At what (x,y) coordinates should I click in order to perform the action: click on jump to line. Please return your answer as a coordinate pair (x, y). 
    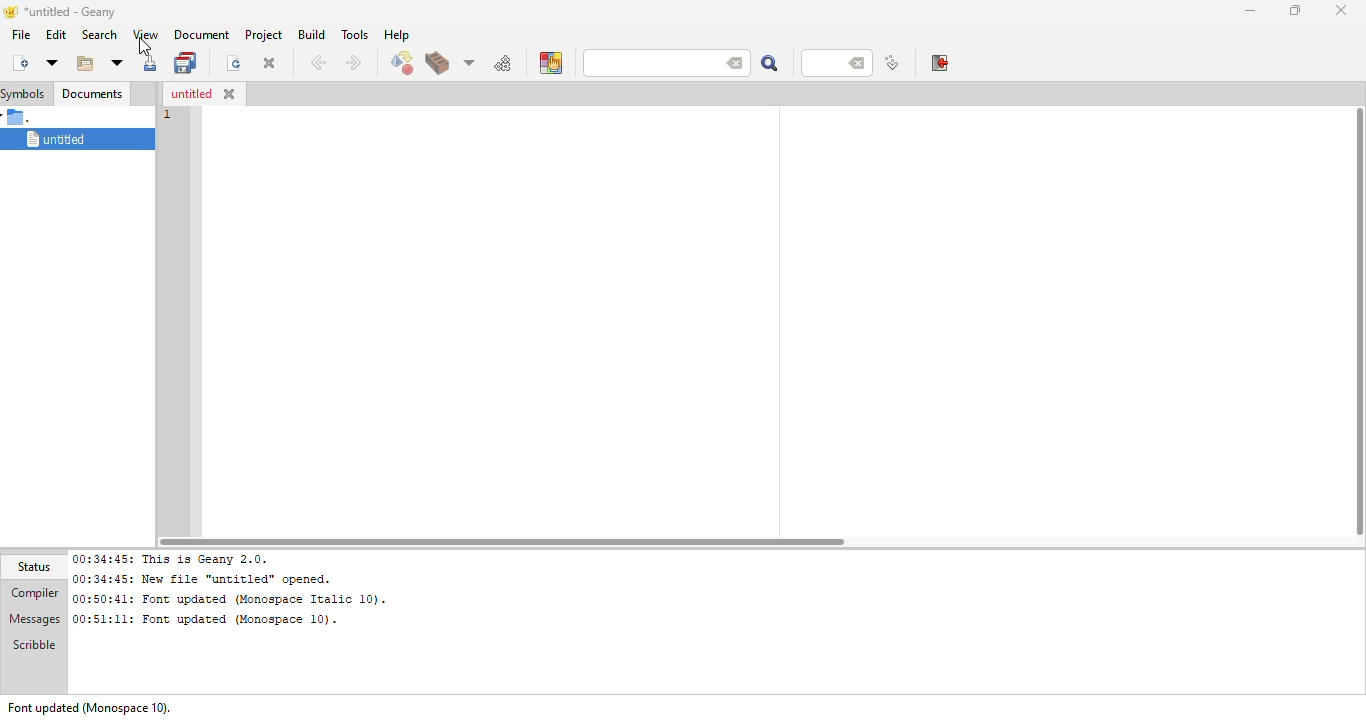
    Looking at the image, I should click on (890, 64).